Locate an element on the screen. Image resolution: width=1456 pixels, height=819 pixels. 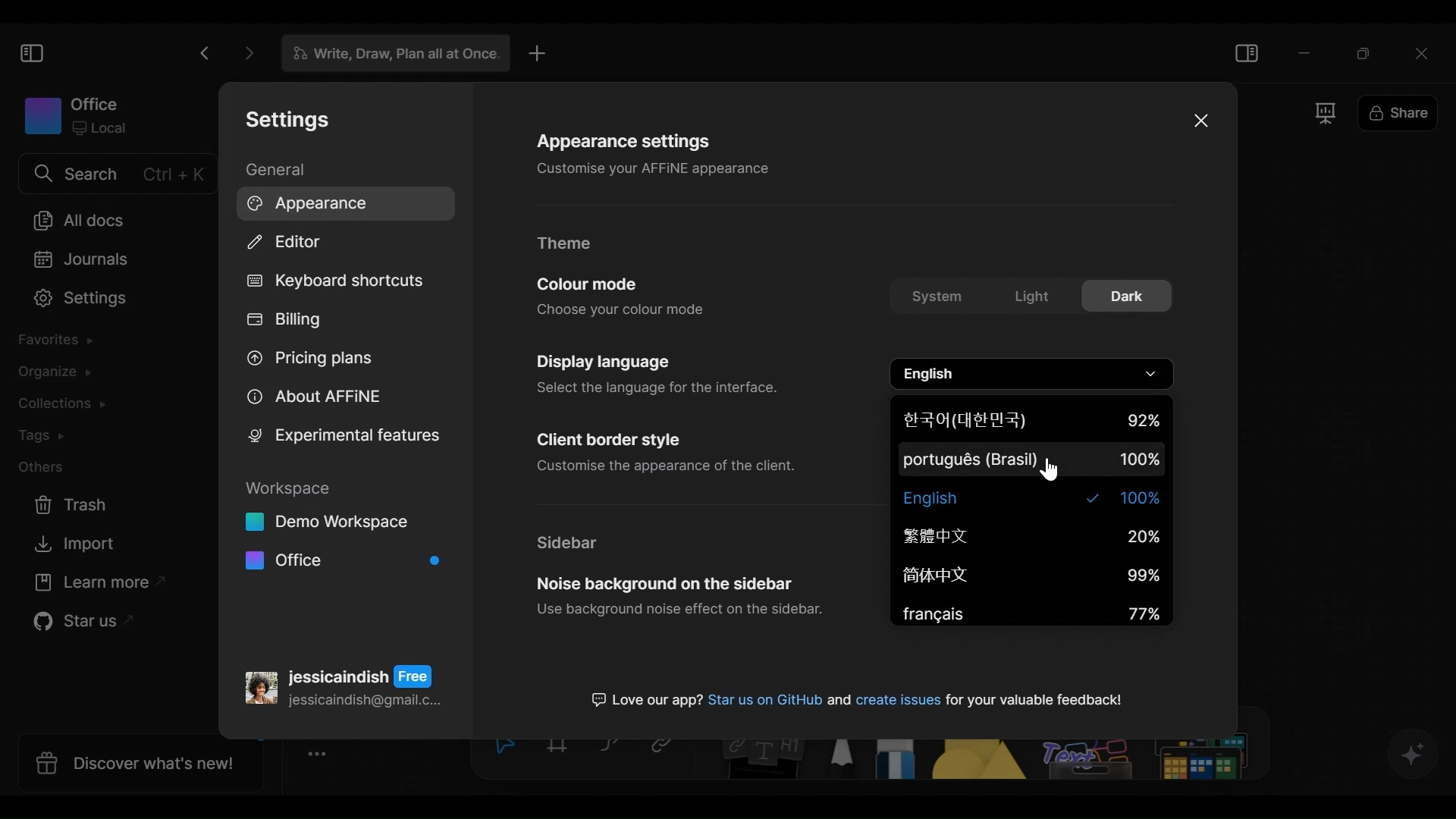
cursor is located at coordinates (1051, 472).